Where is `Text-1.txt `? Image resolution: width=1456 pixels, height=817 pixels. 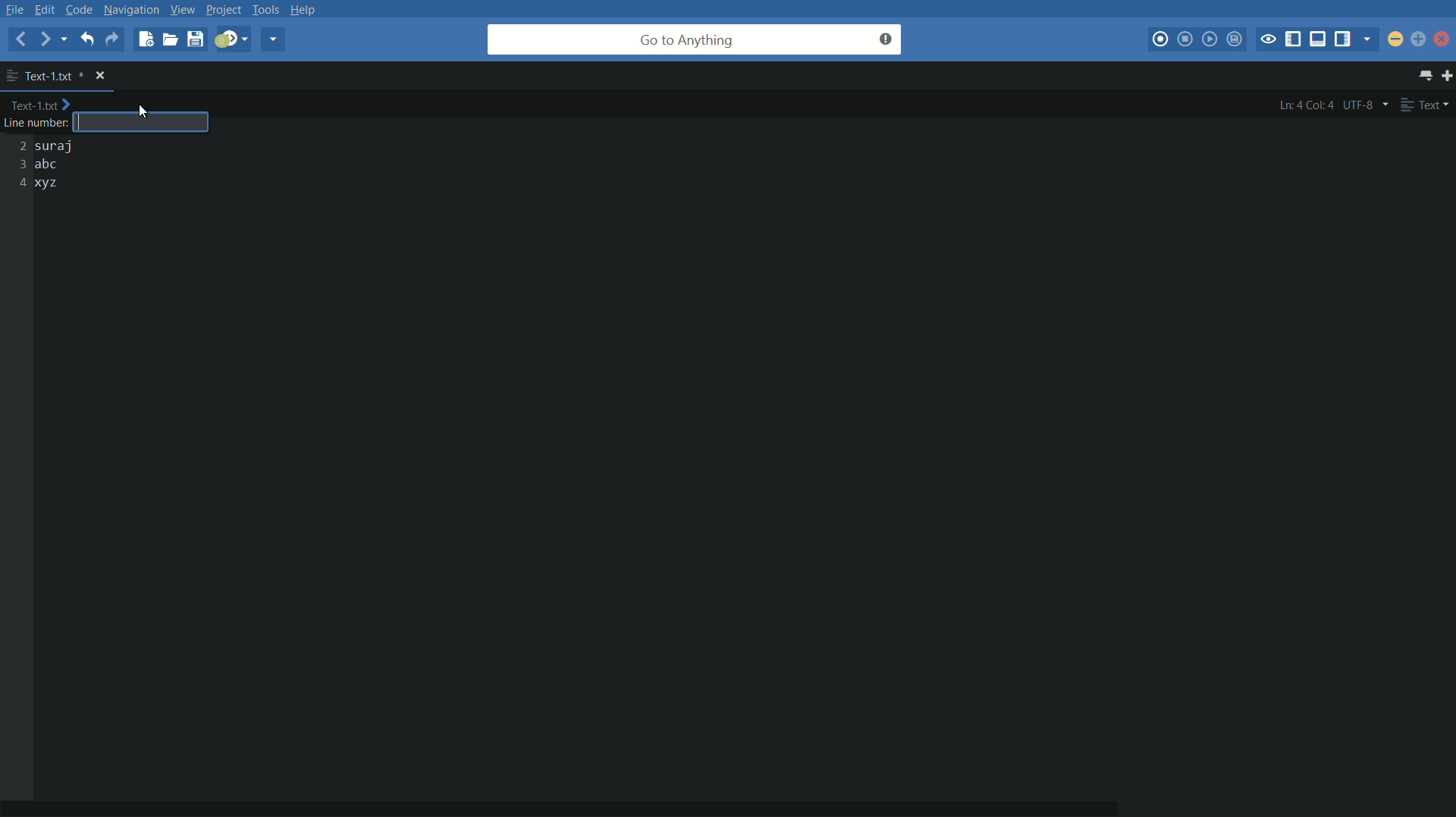 Text-1.txt  is located at coordinates (39, 105).